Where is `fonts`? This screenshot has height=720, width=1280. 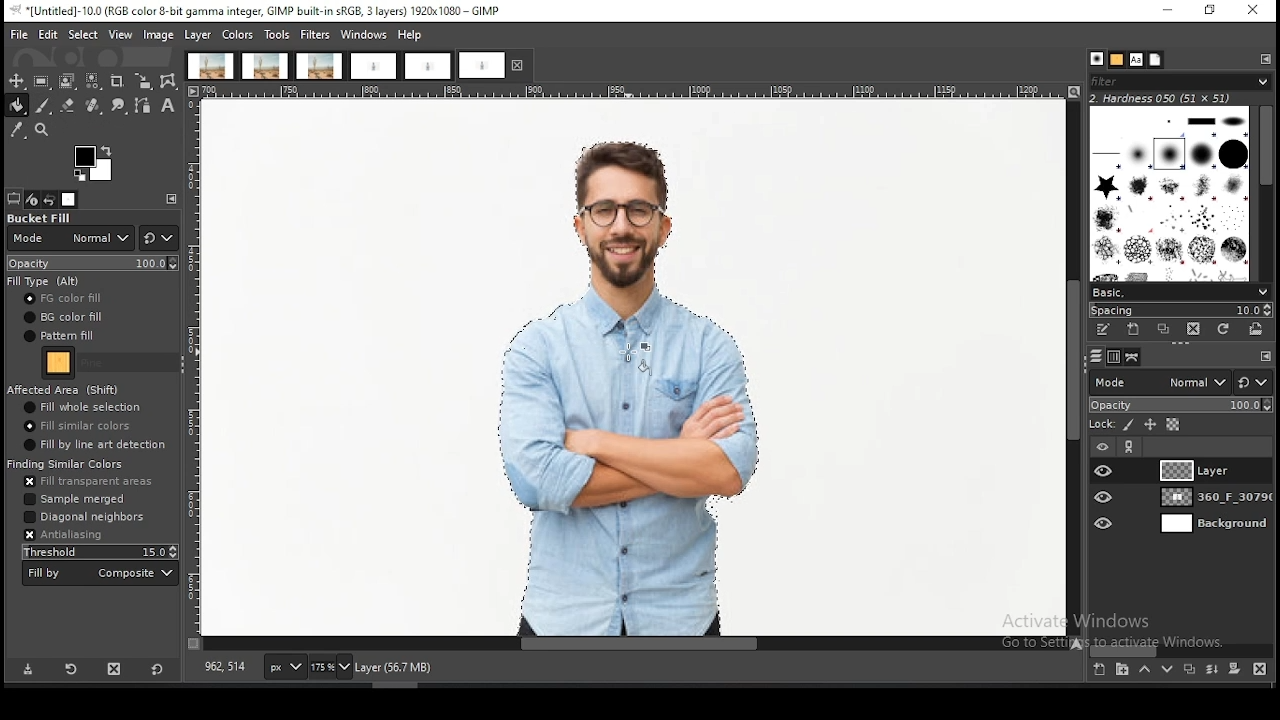 fonts is located at coordinates (1136, 60).